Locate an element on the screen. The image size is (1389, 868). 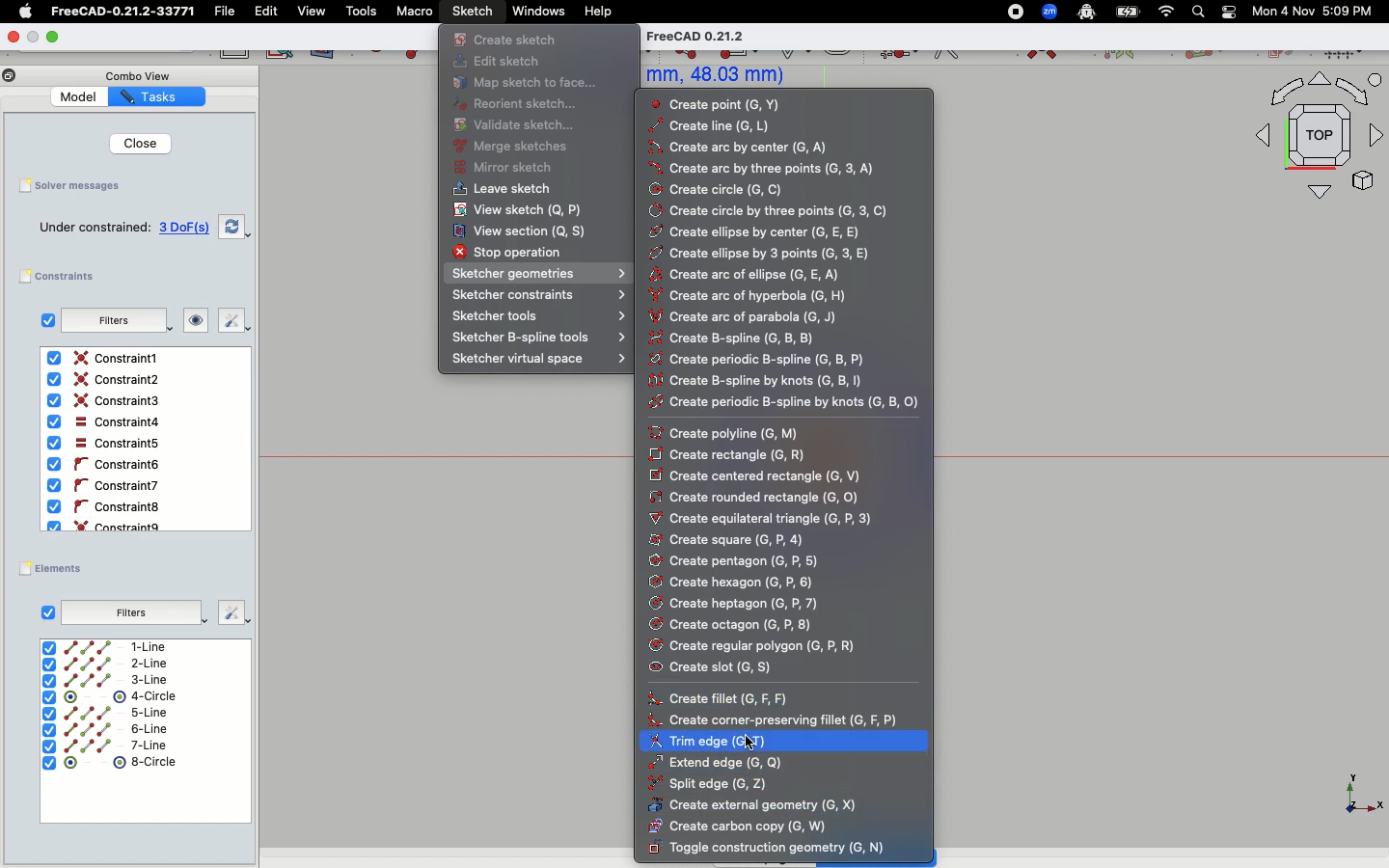
Create rounded rectangle is located at coordinates (756, 500).